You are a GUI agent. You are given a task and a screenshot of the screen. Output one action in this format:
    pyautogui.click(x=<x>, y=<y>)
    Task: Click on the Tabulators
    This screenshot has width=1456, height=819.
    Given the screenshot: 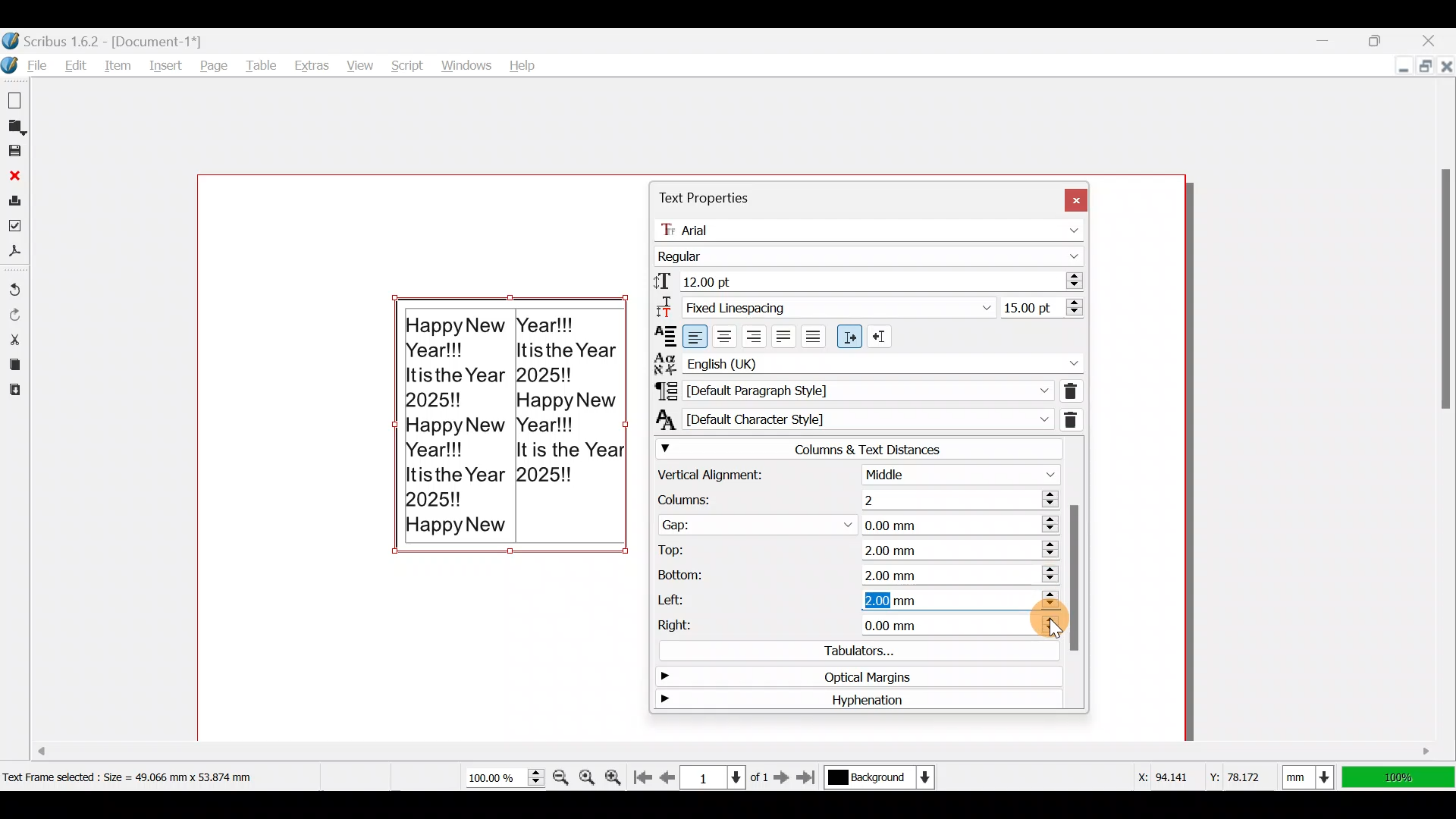 What is the action you would take?
    pyautogui.click(x=852, y=649)
    